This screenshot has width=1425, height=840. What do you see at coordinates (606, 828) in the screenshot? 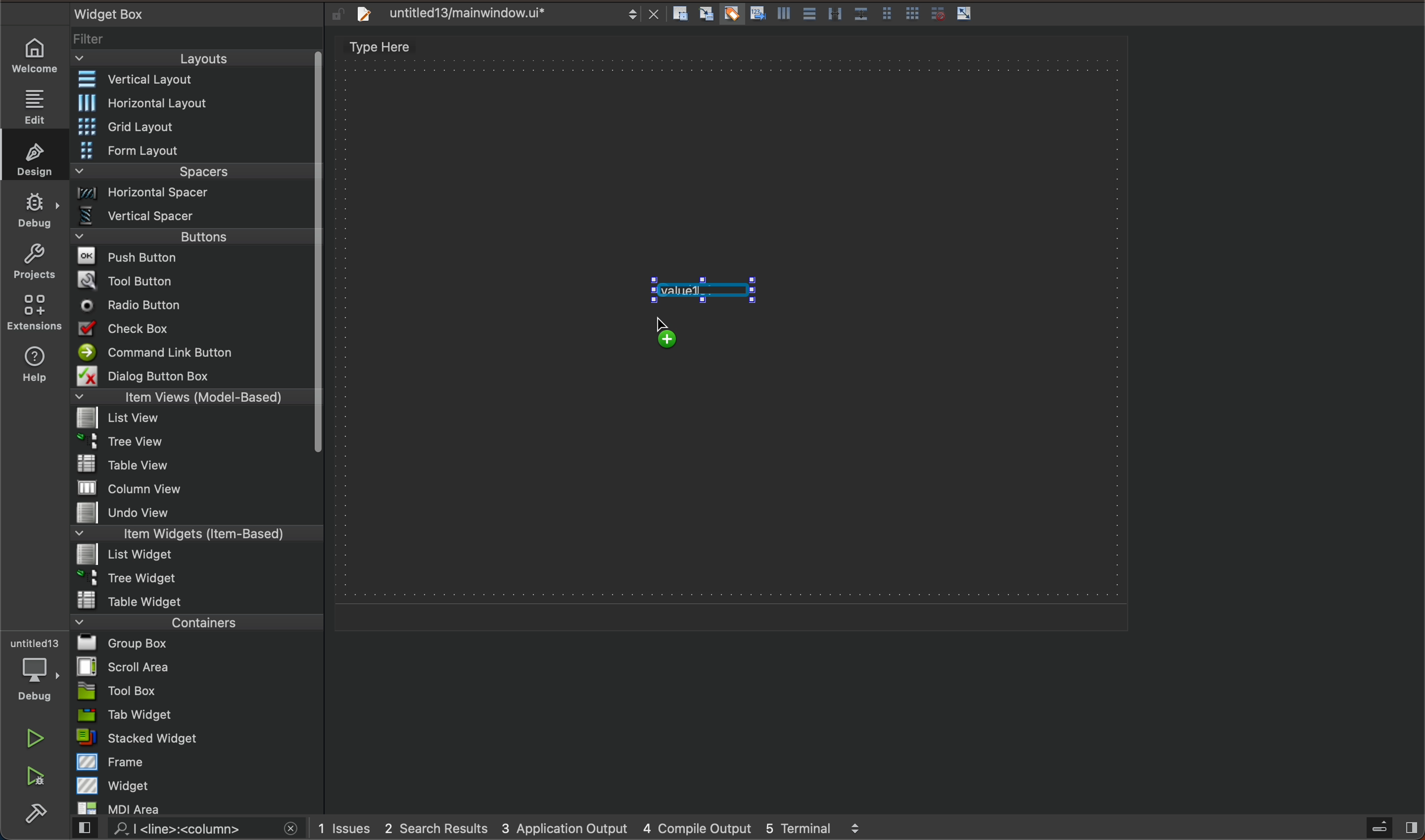
I see `logs` at bounding box center [606, 828].